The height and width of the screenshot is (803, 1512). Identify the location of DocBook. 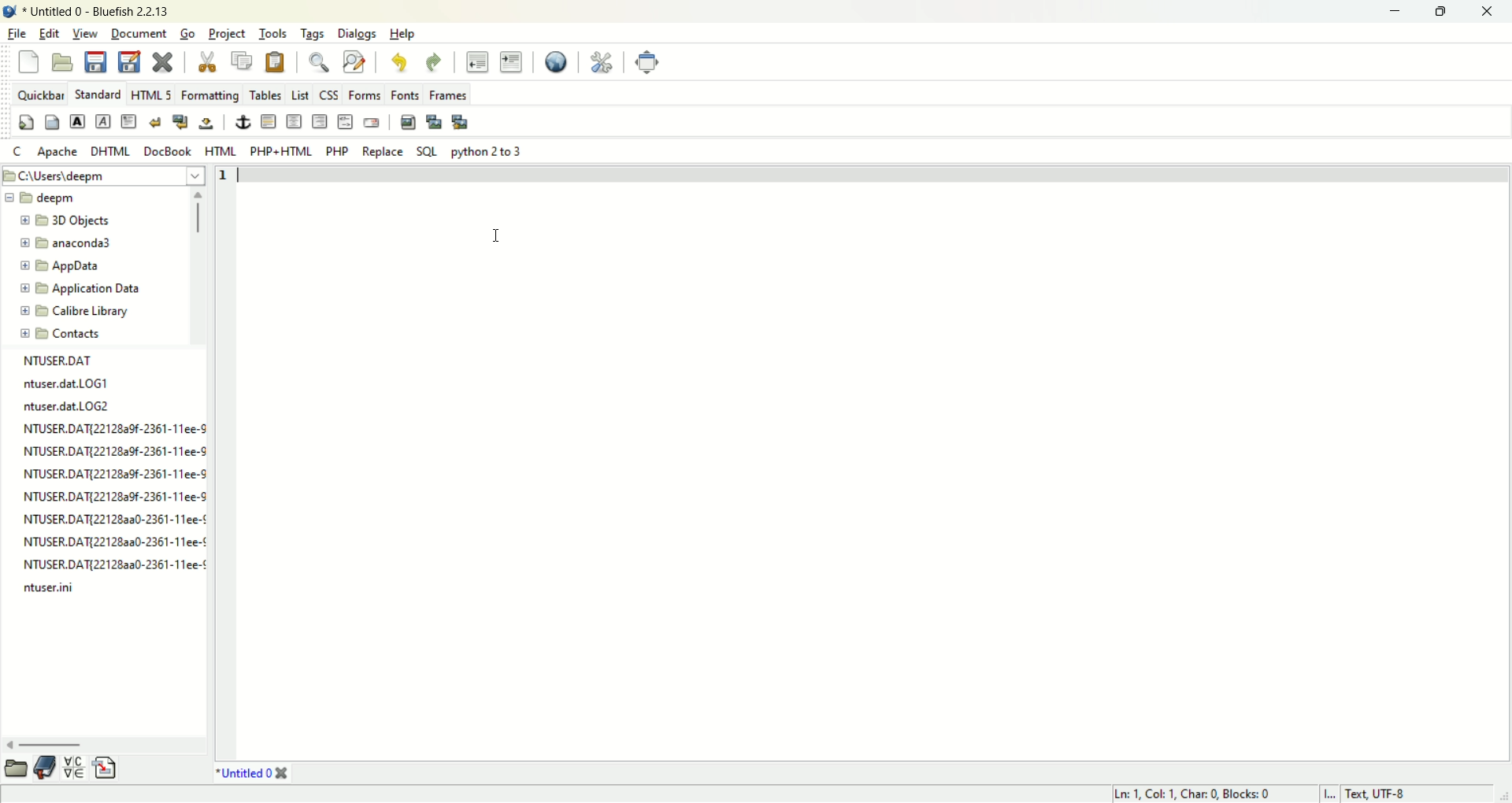
(166, 153).